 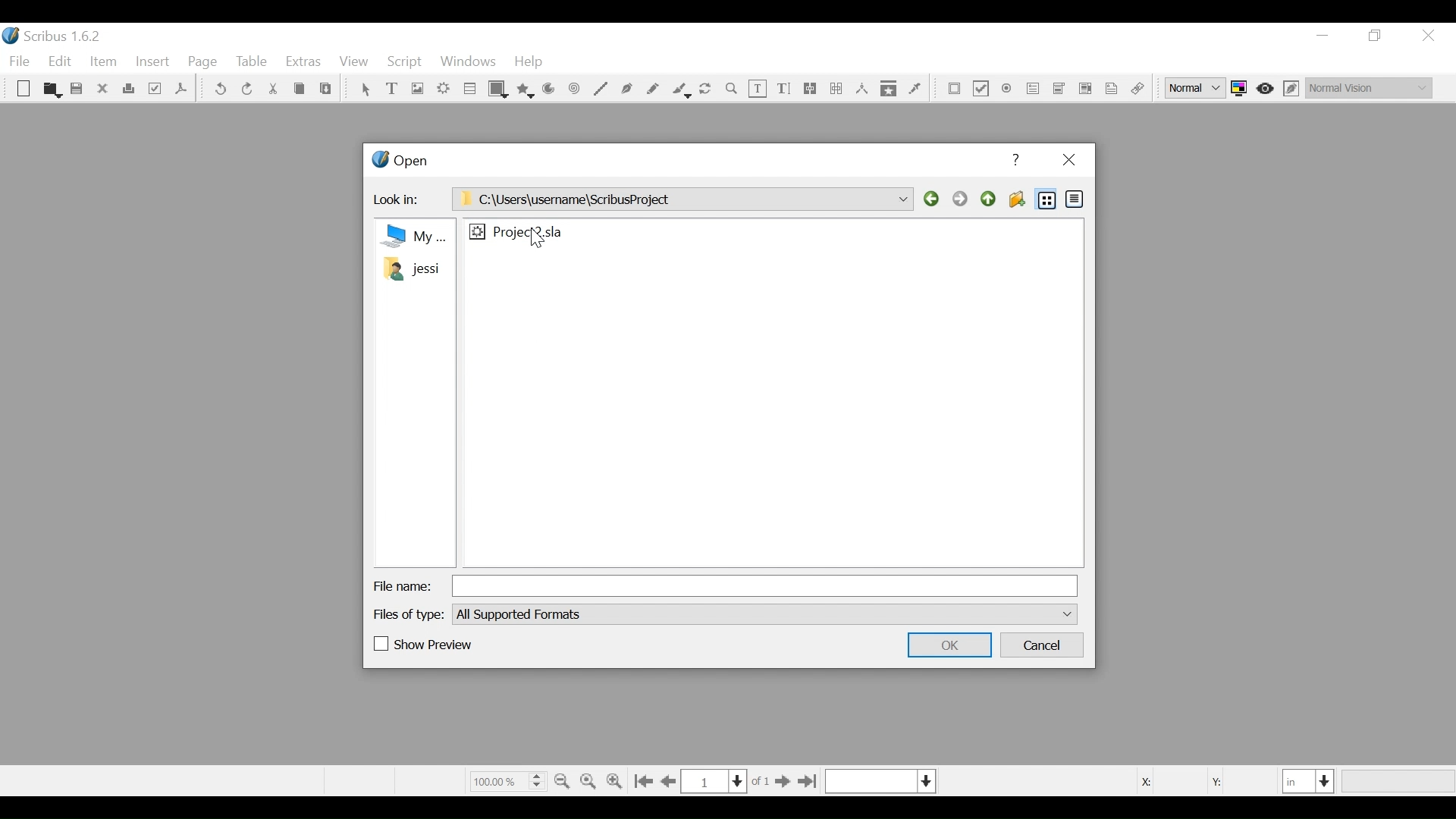 What do you see at coordinates (764, 613) in the screenshot?
I see `File of type dropdown menu` at bounding box center [764, 613].